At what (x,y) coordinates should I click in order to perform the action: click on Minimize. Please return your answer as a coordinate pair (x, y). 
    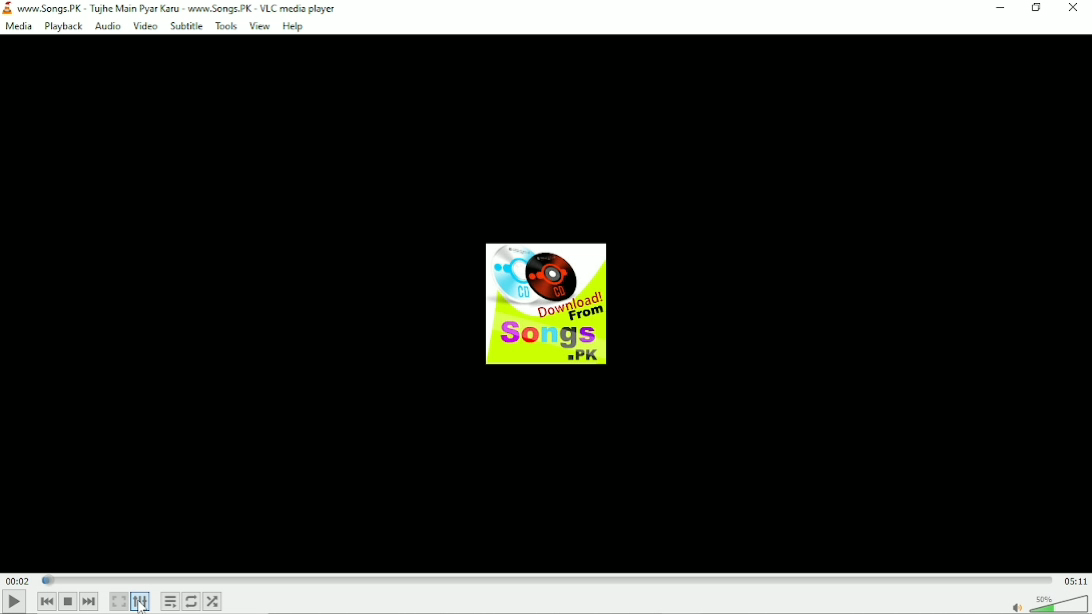
    Looking at the image, I should click on (1000, 9).